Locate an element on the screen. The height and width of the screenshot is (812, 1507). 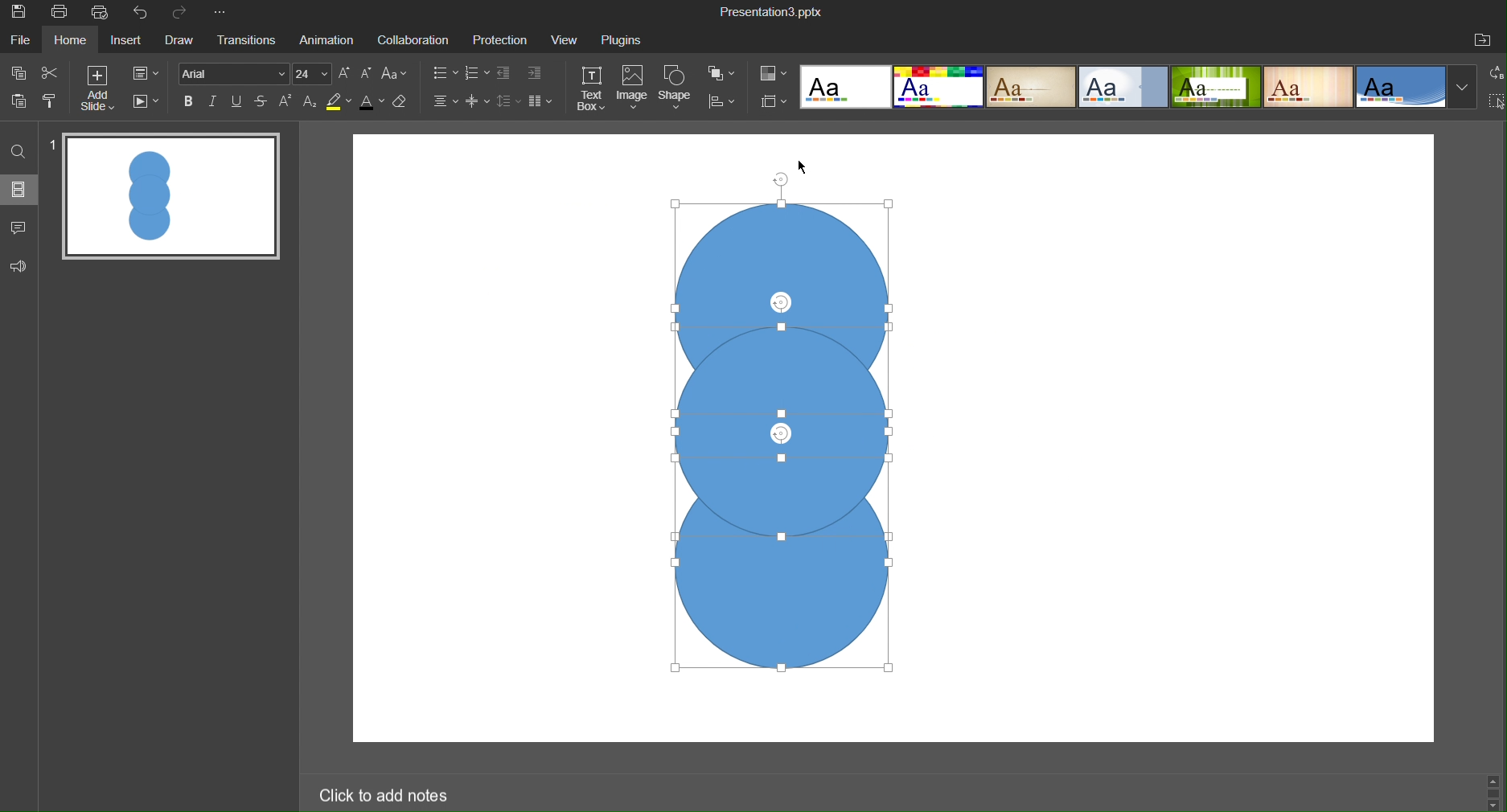
Slide Settings is located at coordinates (151, 75).